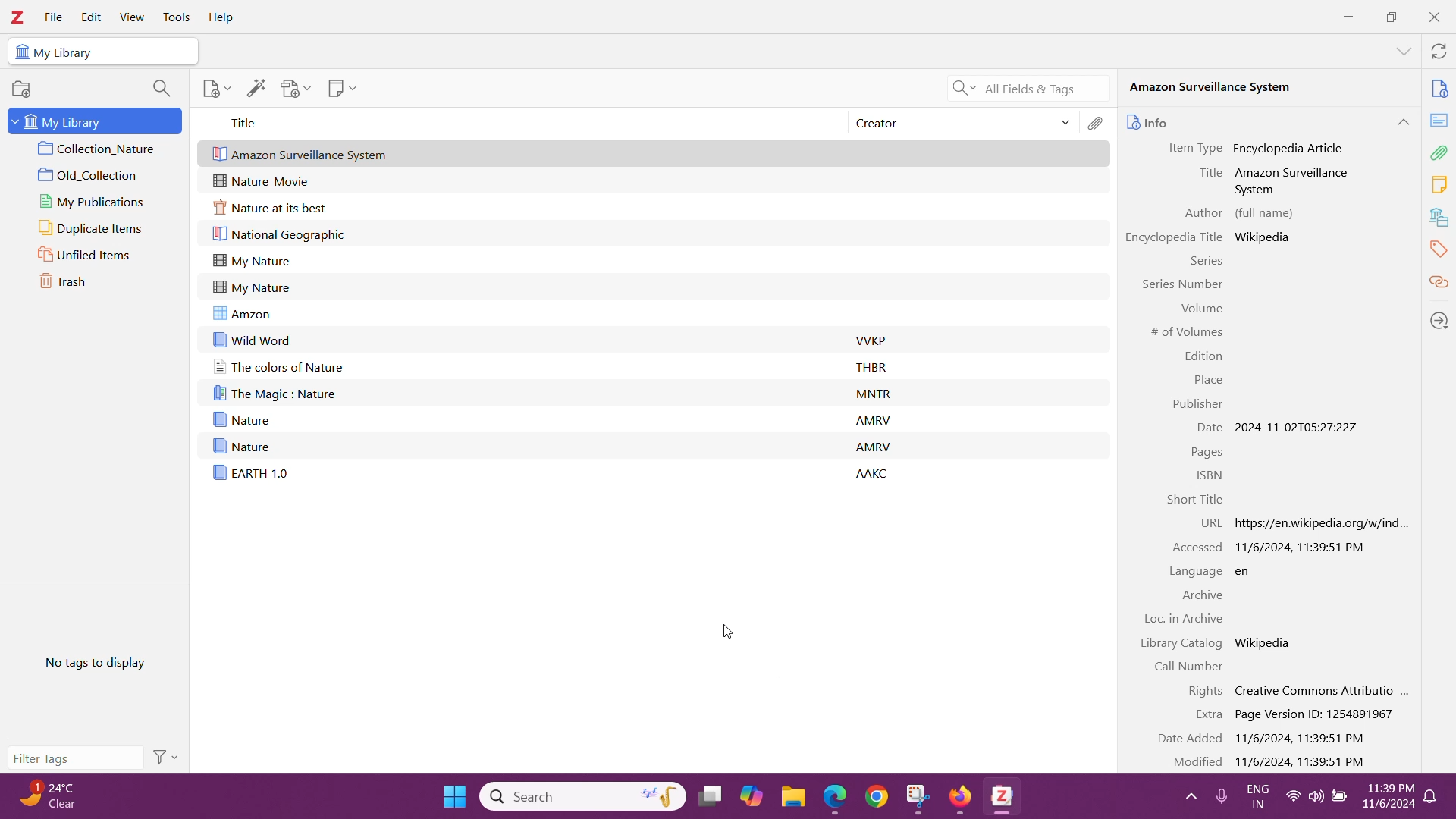 The image size is (1456, 819). What do you see at coordinates (1207, 261) in the screenshot?
I see `Series` at bounding box center [1207, 261].